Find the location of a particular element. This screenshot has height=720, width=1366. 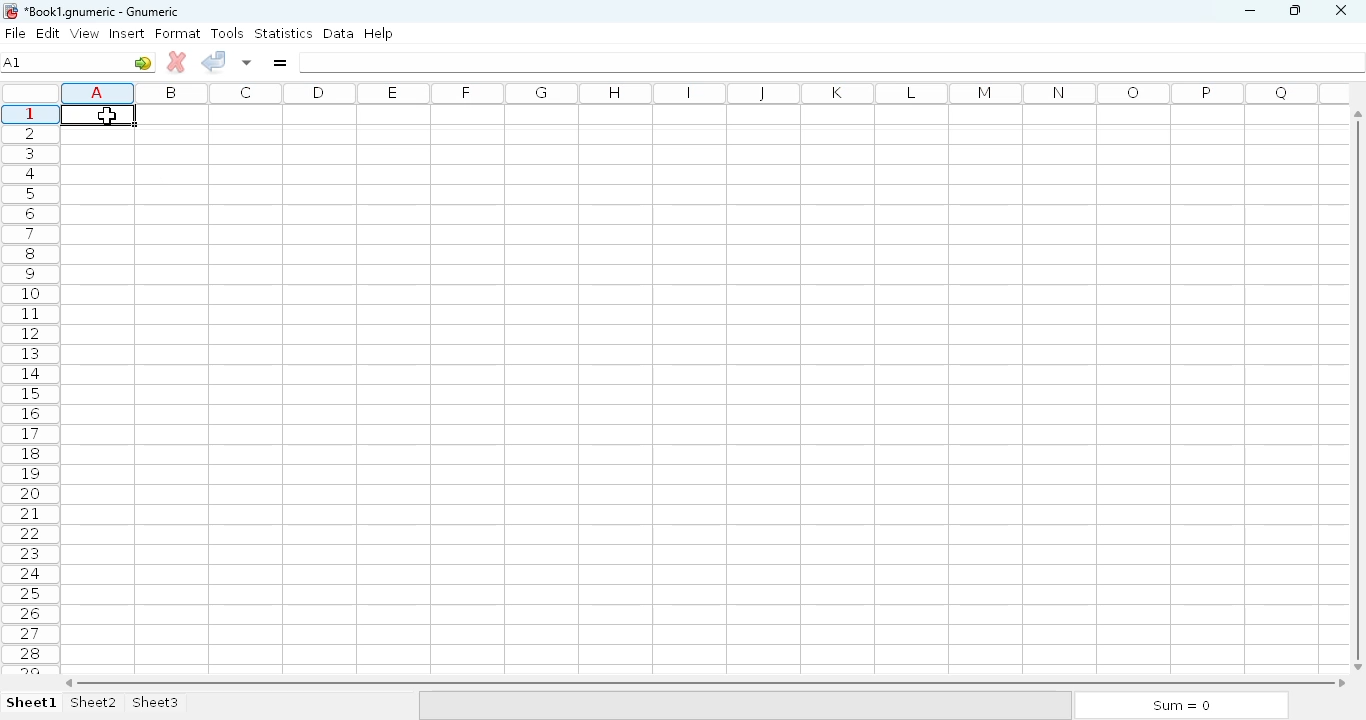

statistics is located at coordinates (283, 32).